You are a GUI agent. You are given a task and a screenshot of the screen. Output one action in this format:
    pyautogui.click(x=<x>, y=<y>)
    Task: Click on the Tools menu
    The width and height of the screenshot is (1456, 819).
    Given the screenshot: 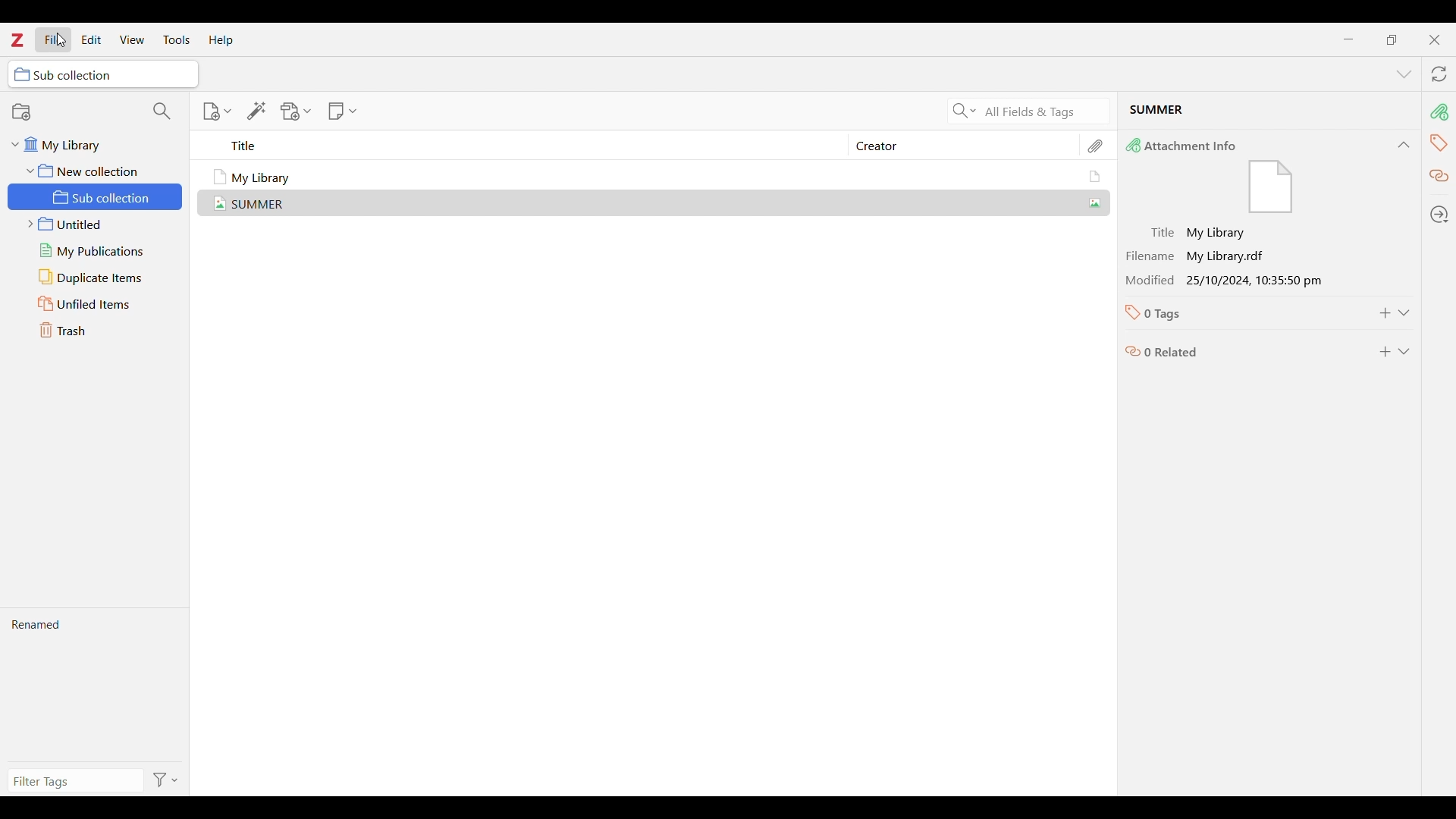 What is the action you would take?
    pyautogui.click(x=177, y=39)
    